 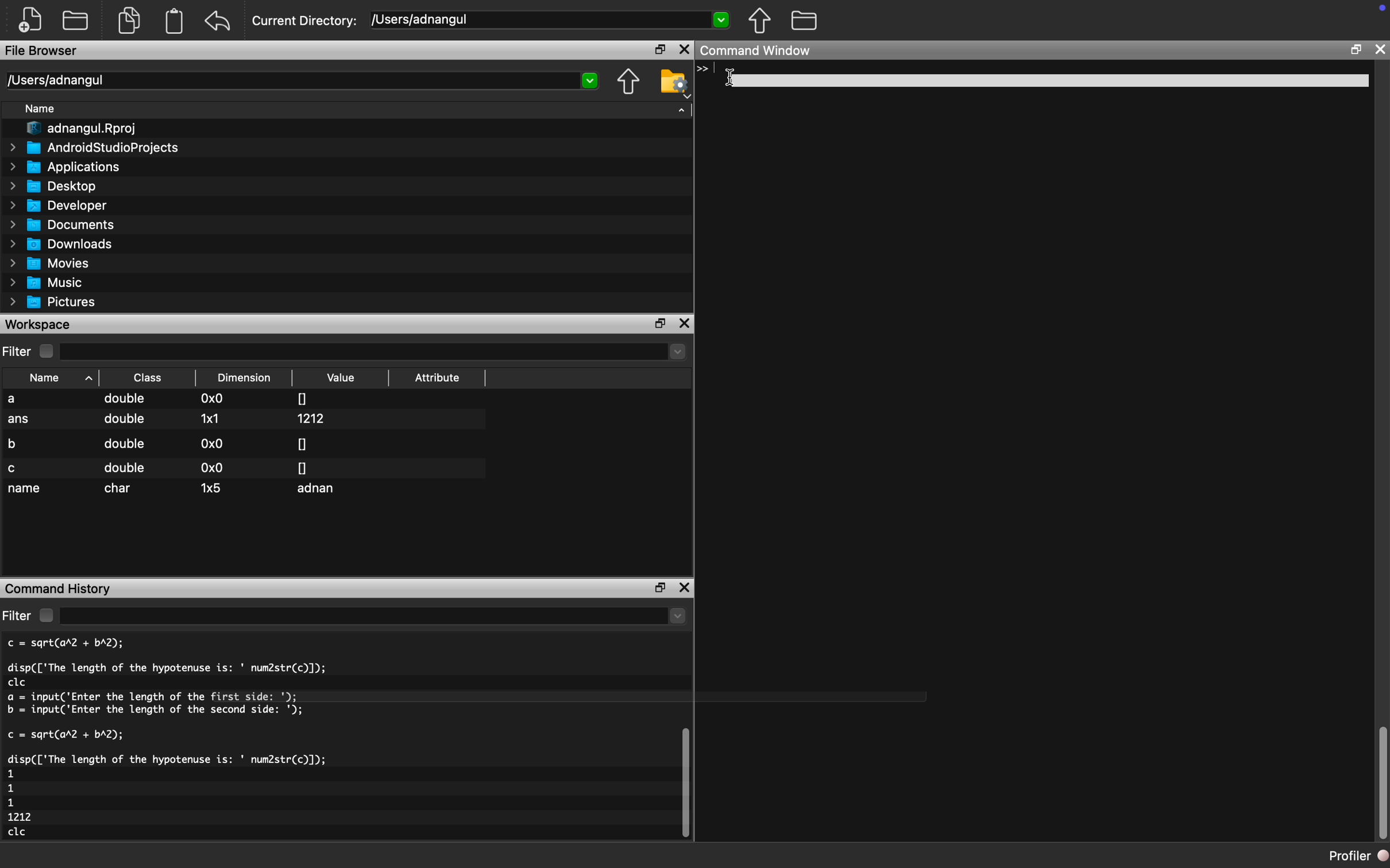 I want to click on I" adnangul.Rproj, so click(x=89, y=129).